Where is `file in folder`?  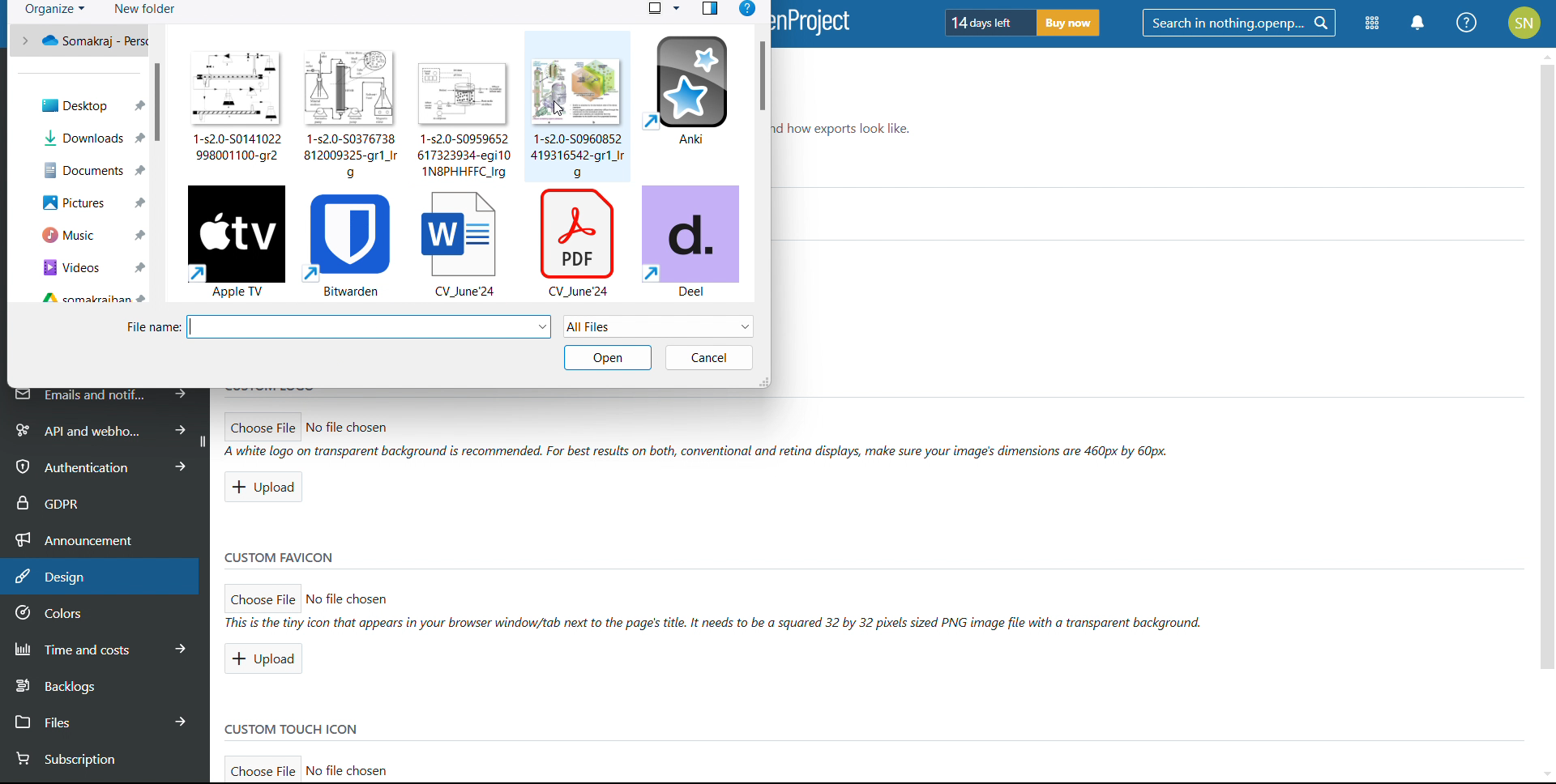 file in folder is located at coordinates (352, 111).